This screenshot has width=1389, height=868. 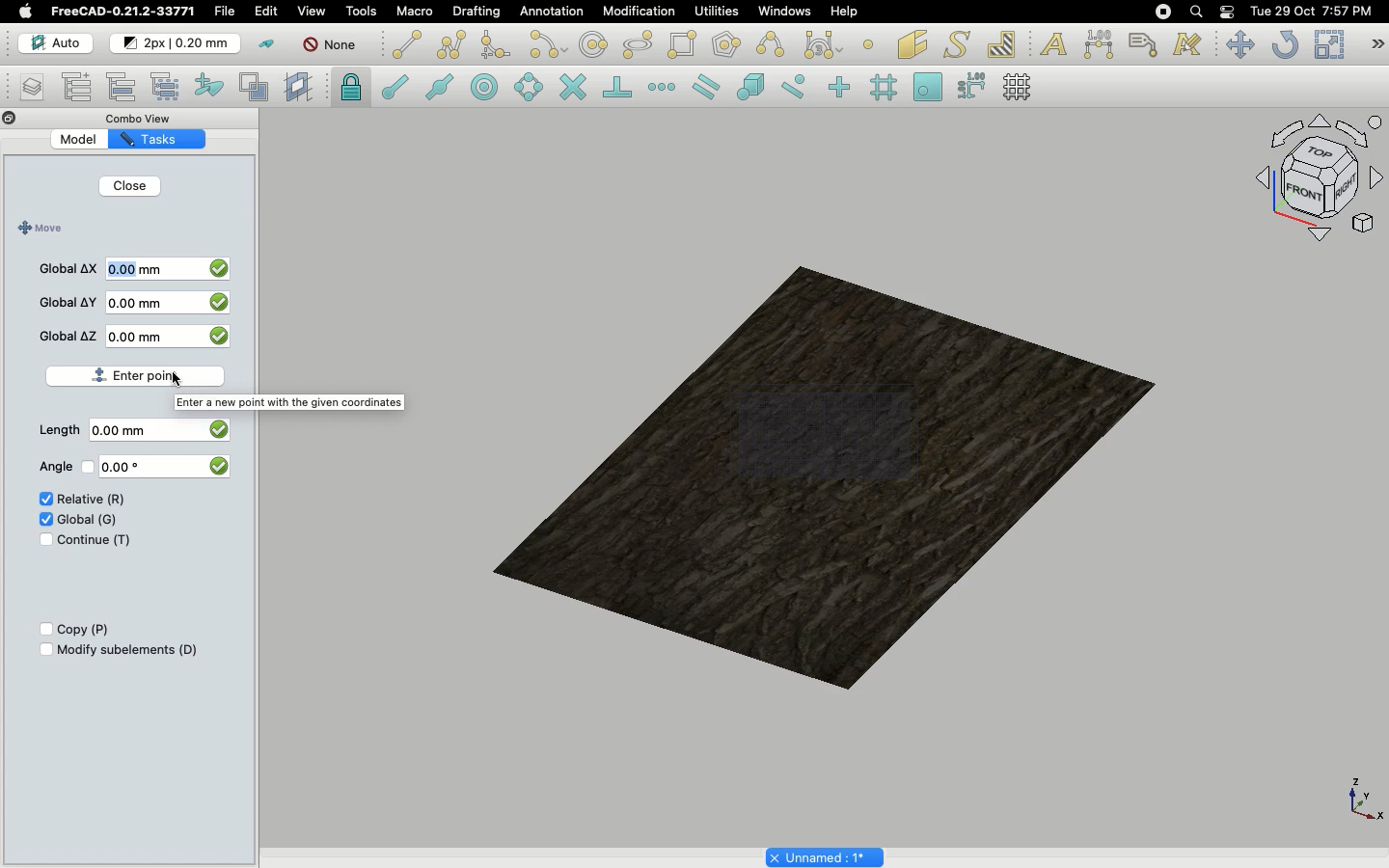 What do you see at coordinates (286, 403) in the screenshot?
I see `Enter a new point with the given coordinate` at bounding box center [286, 403].